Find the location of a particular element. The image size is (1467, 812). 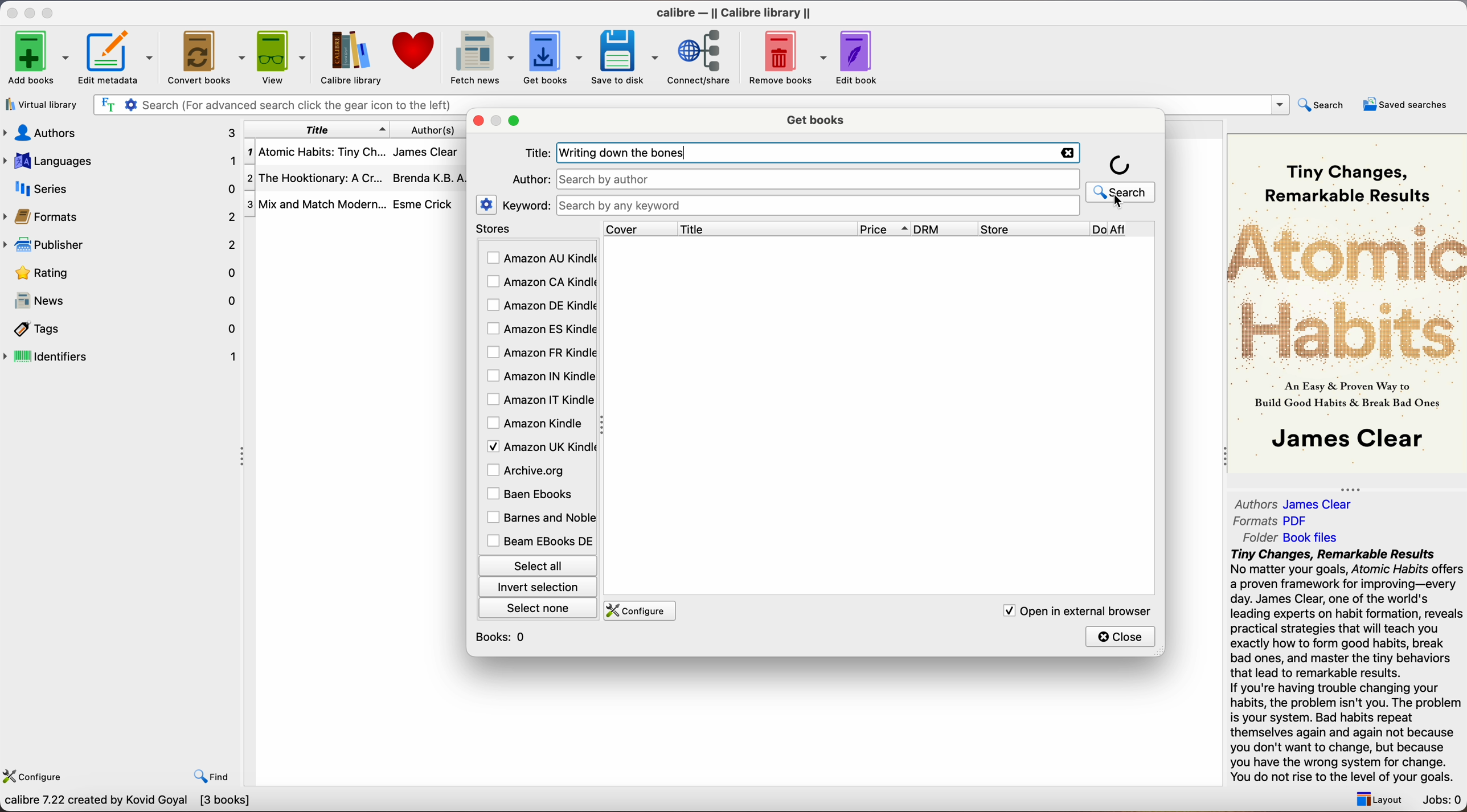

settings is located at coordinates (487, 204).